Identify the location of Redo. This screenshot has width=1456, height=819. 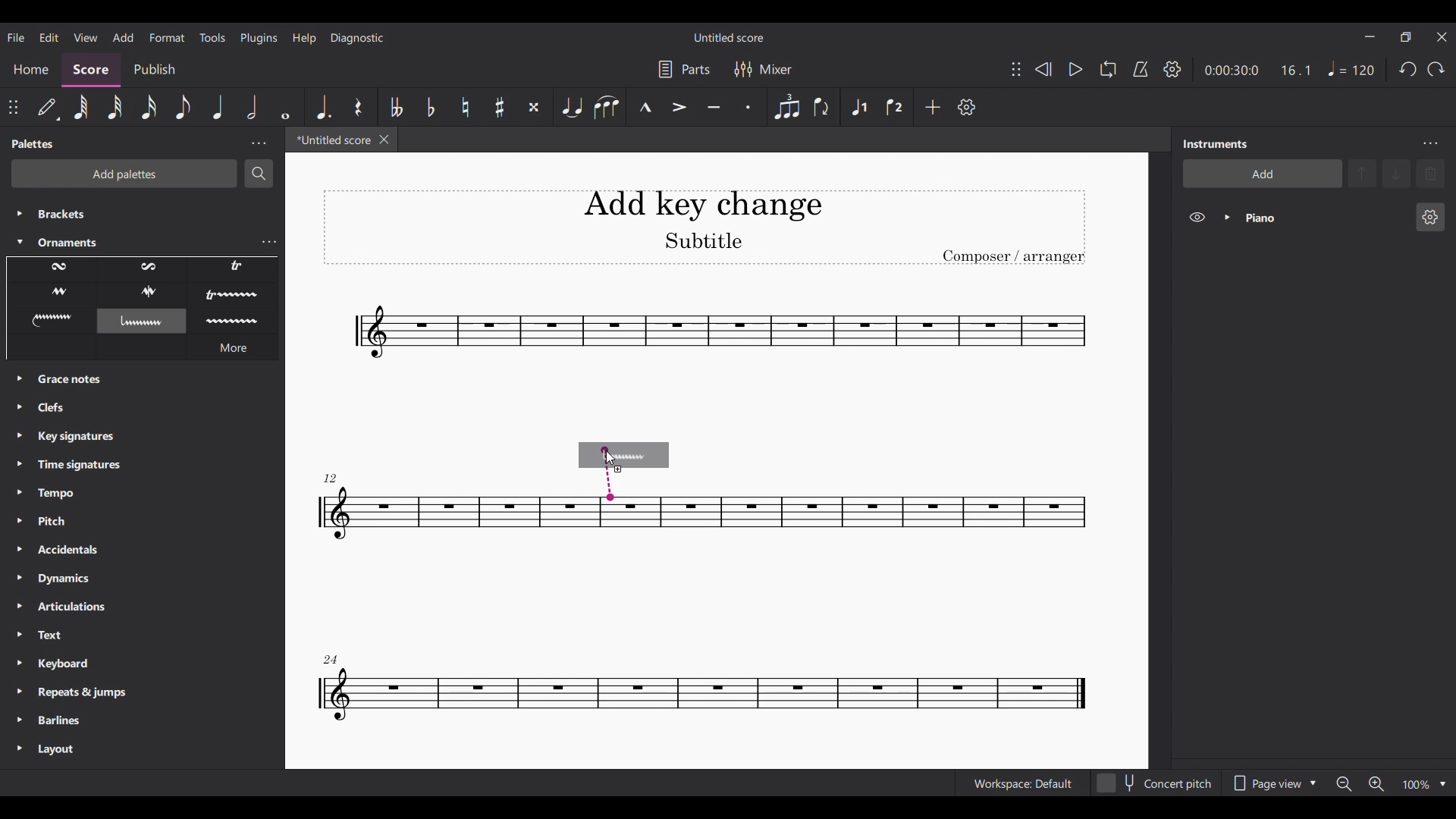
(1436, 70).